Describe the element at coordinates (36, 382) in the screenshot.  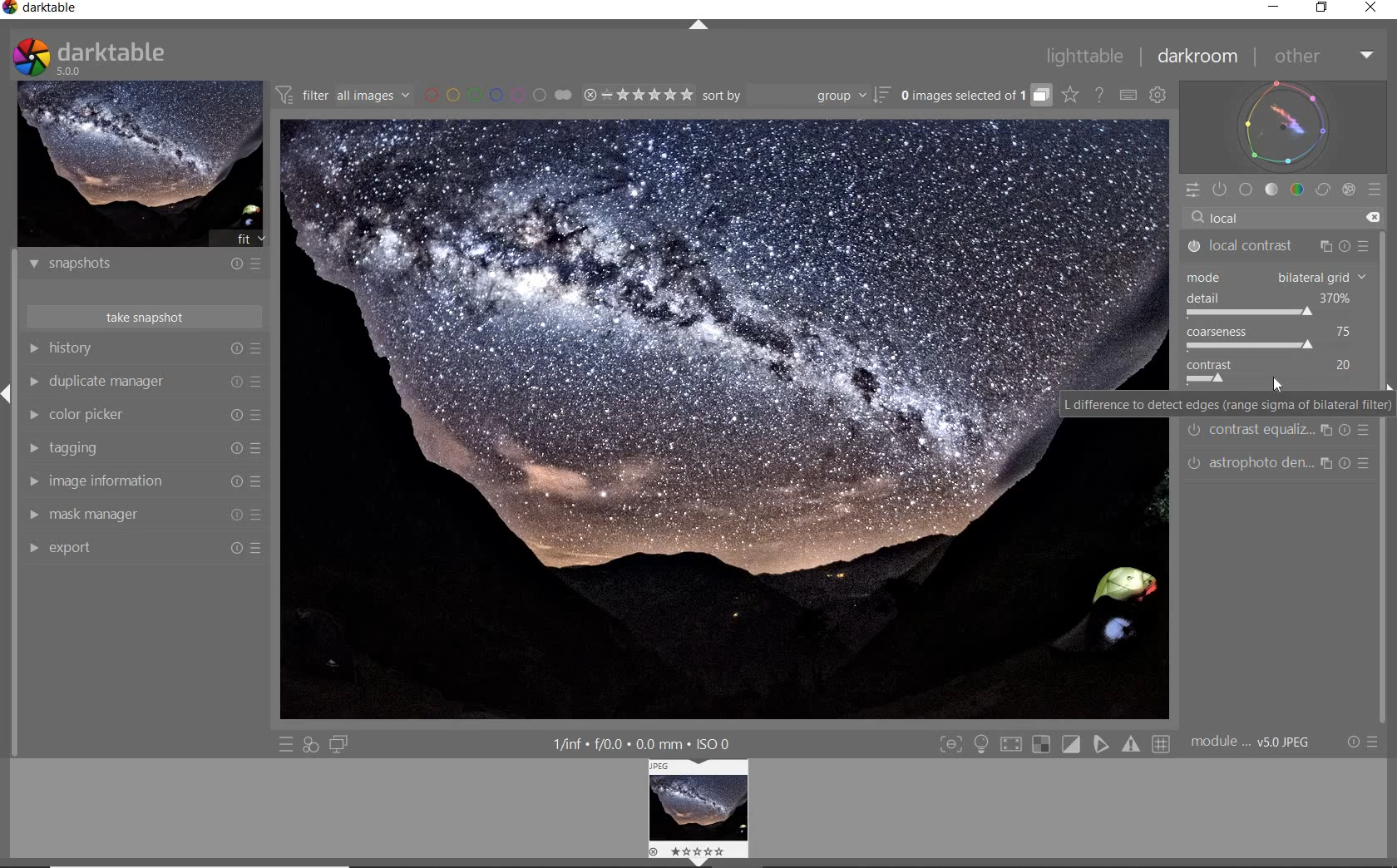
I see `DUPLICATE MANAGER` at that location.